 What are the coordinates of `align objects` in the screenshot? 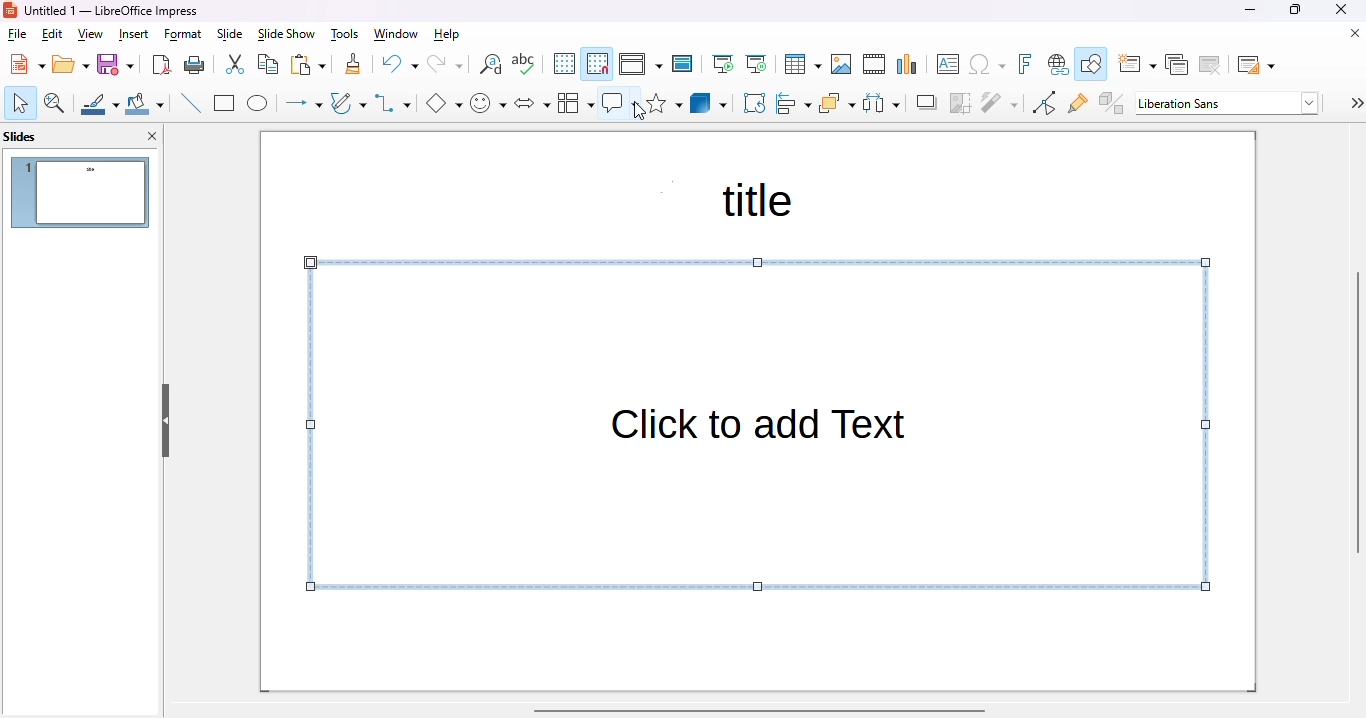 It's located at (794, 102).